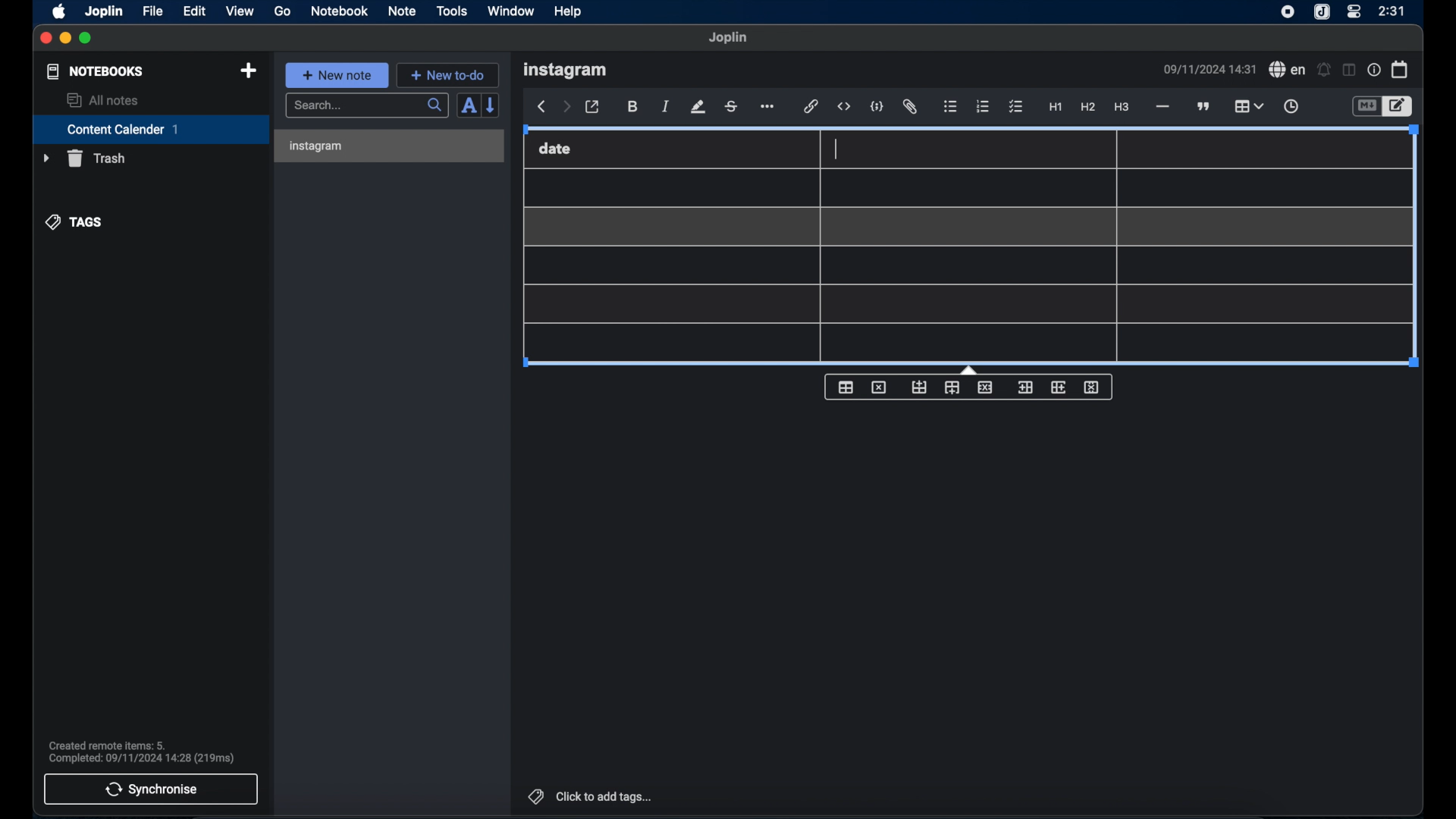  I want to click on toggle editor, so click(1365, 105).